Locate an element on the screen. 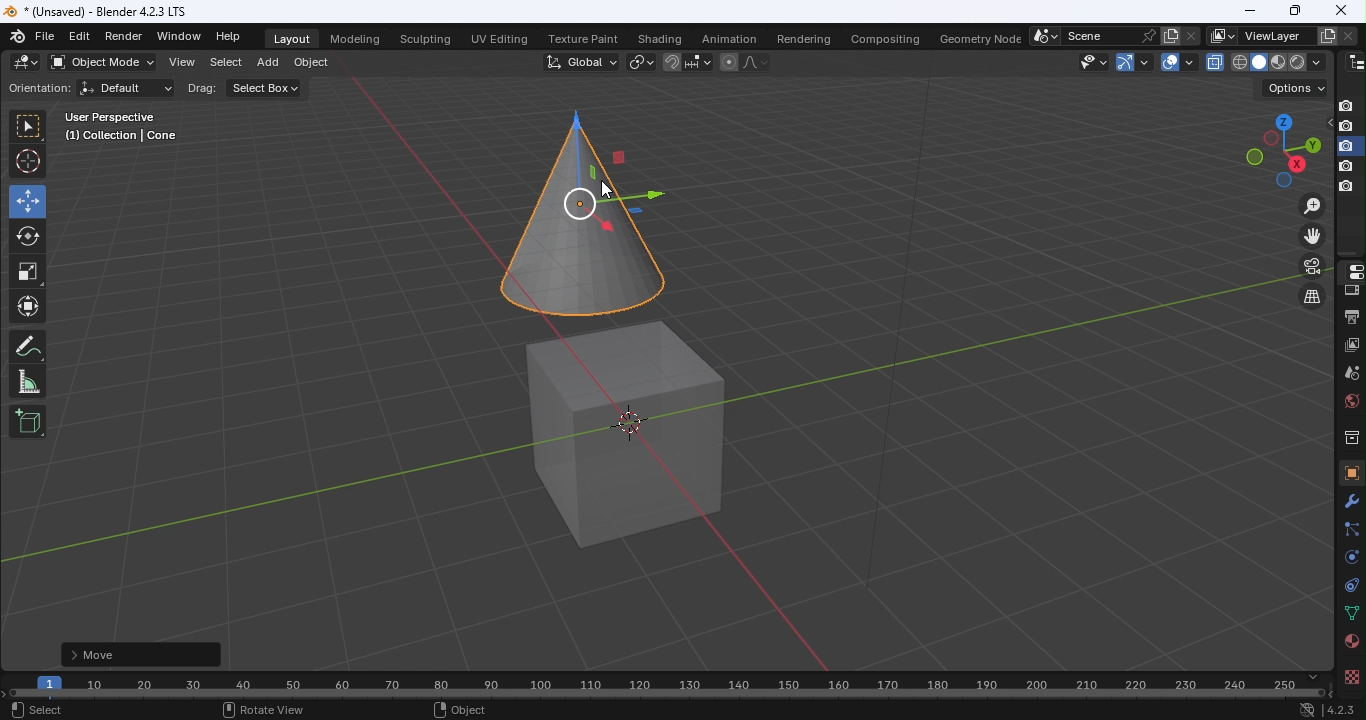 This screenshot has width=1366, height=720. Toggle X-Ray is located at coordinates (1216, 61).